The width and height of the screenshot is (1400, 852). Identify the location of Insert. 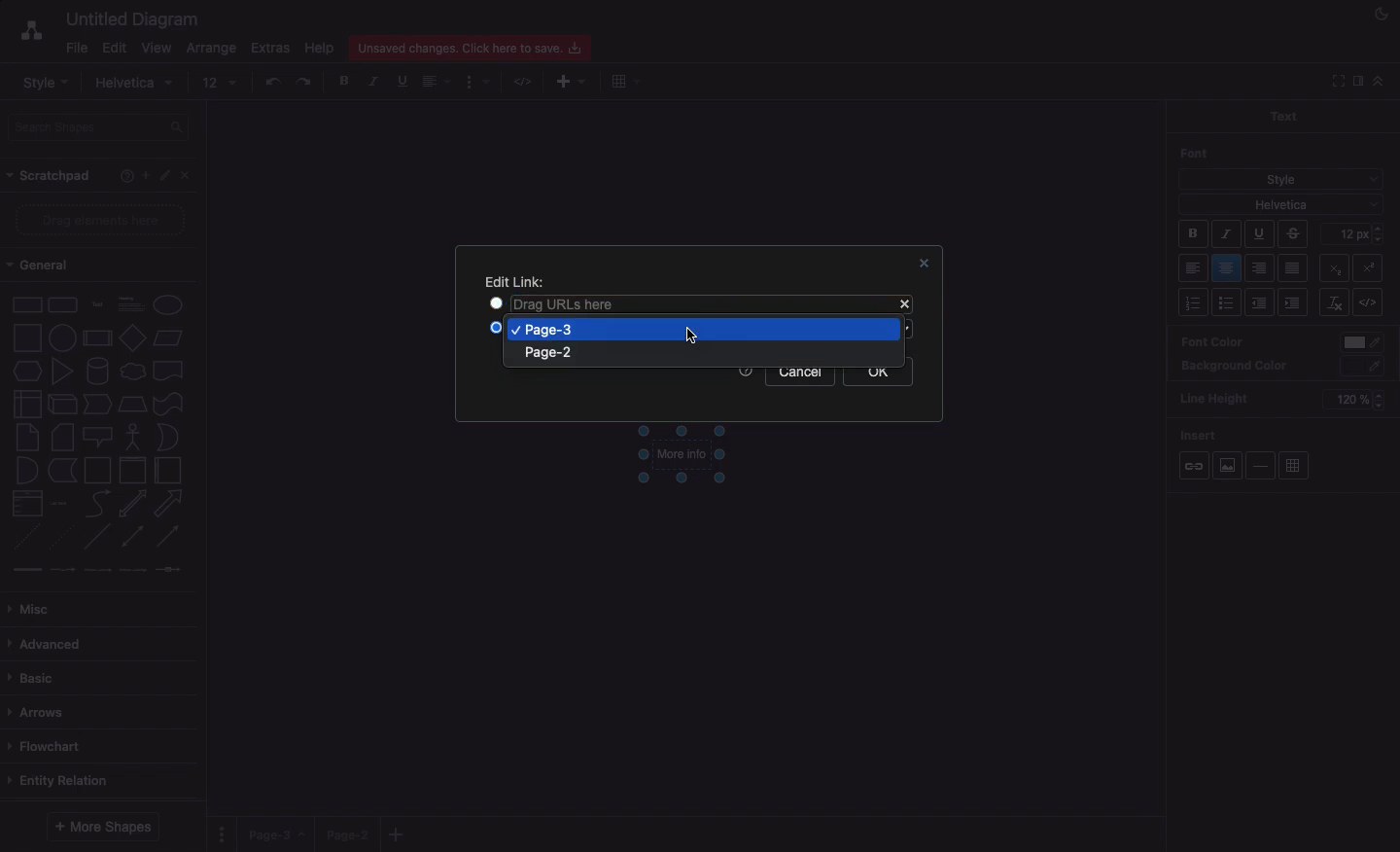
(1200, 432).